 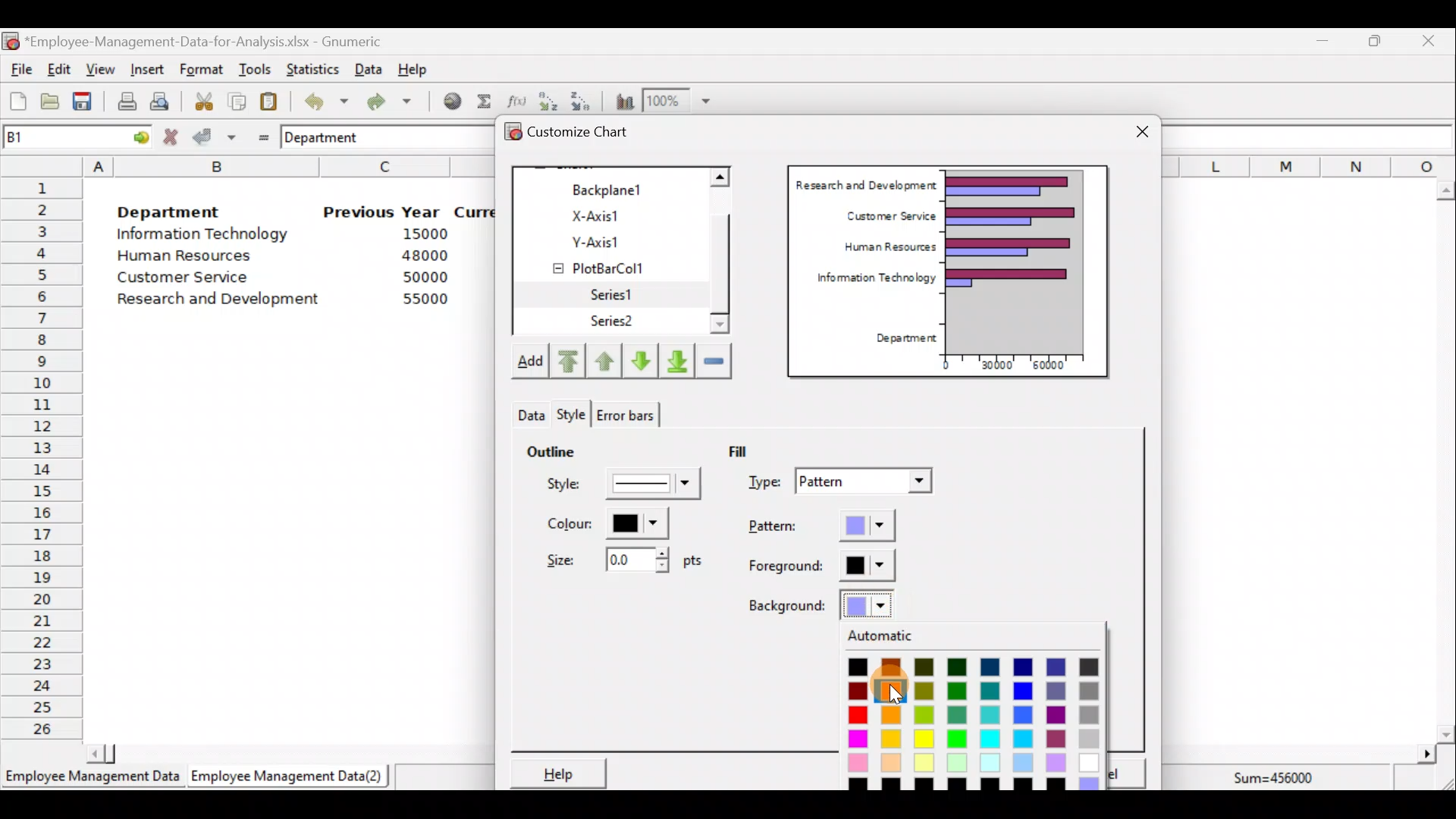 I want to click on Save the current workbook, so click(x=87, y=104).